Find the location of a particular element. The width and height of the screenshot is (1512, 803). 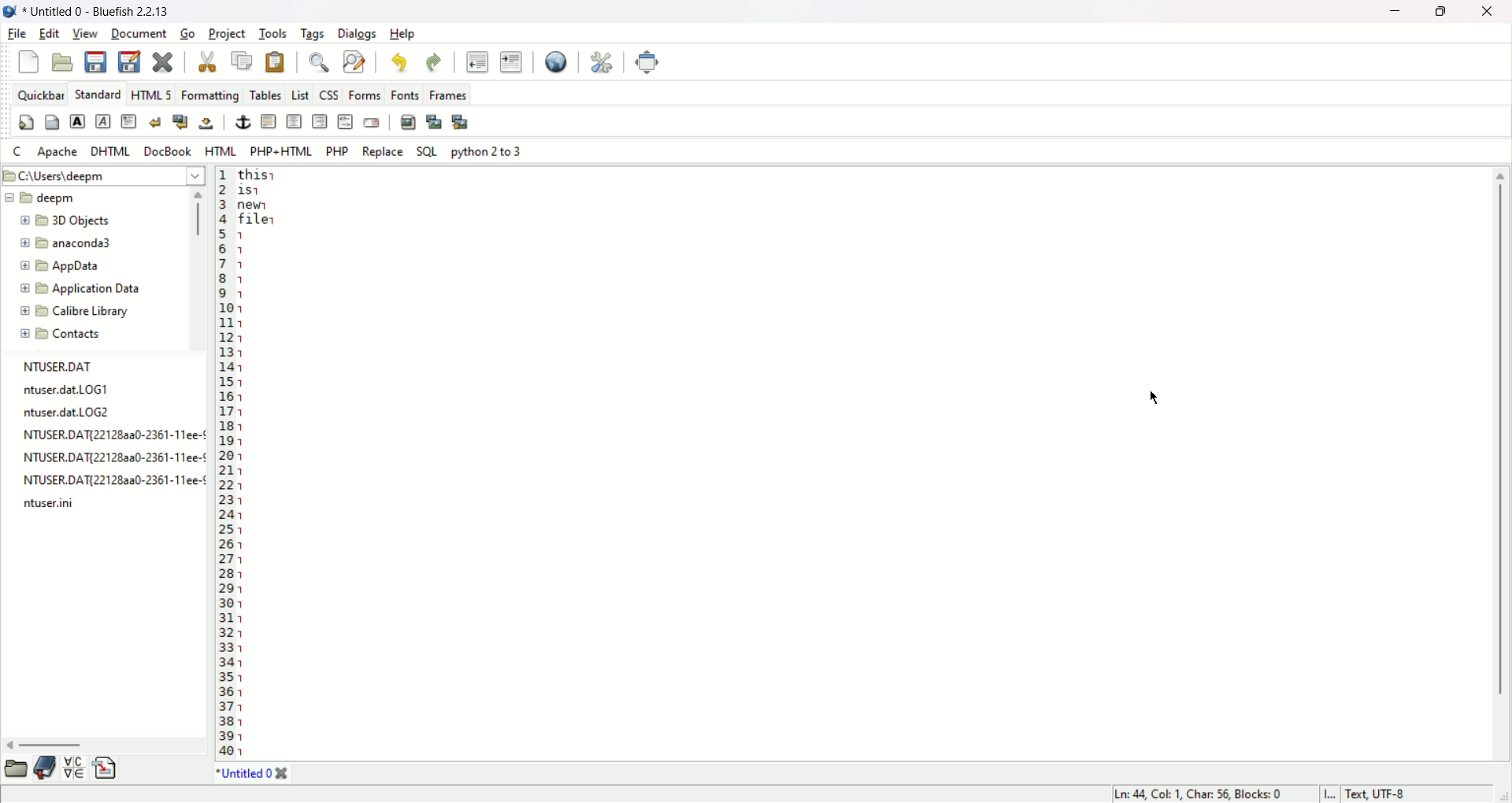

close is located at coordinates (283, 774).